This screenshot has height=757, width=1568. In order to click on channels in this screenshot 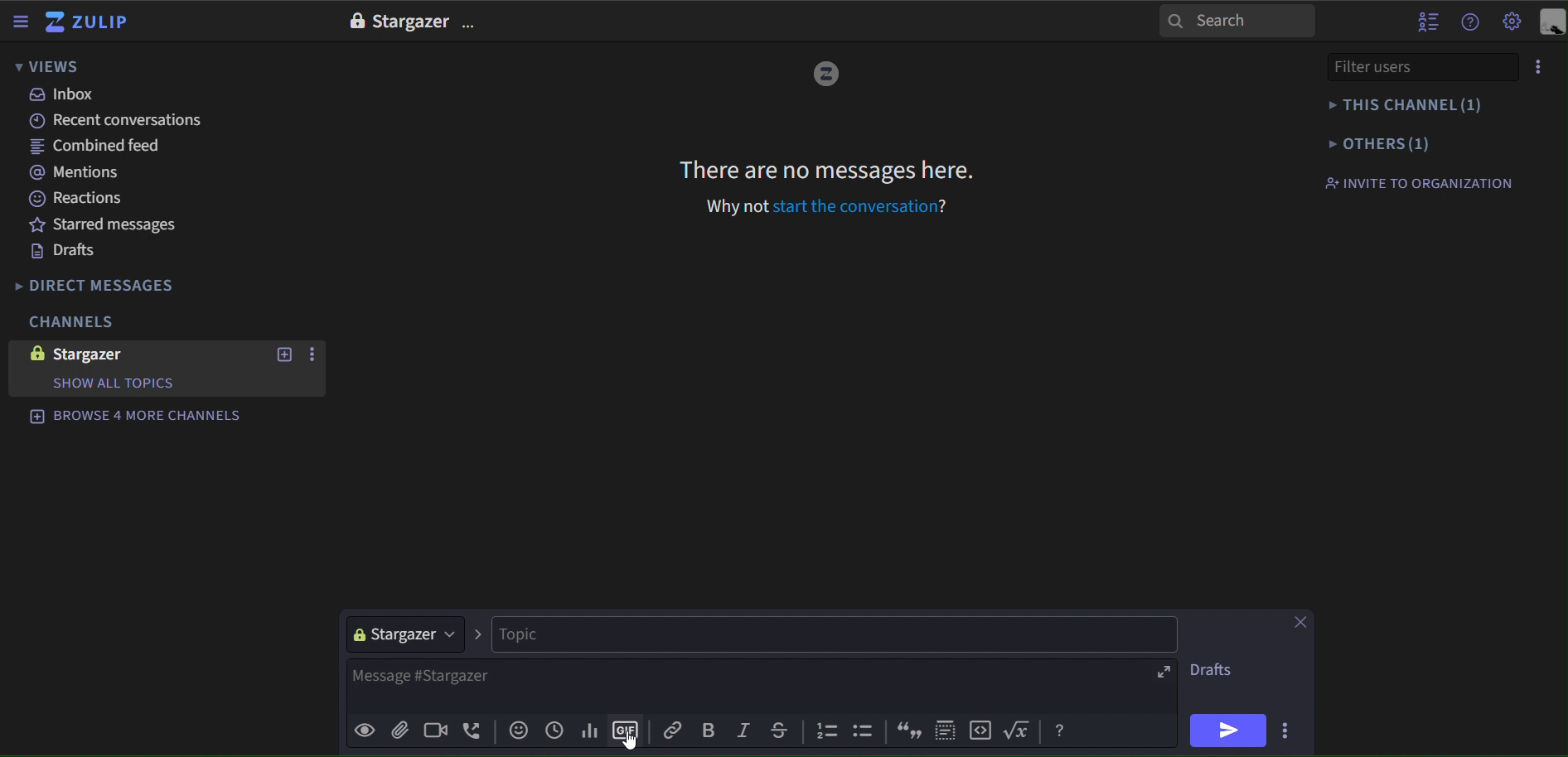, I will do `click(70, 323)`.